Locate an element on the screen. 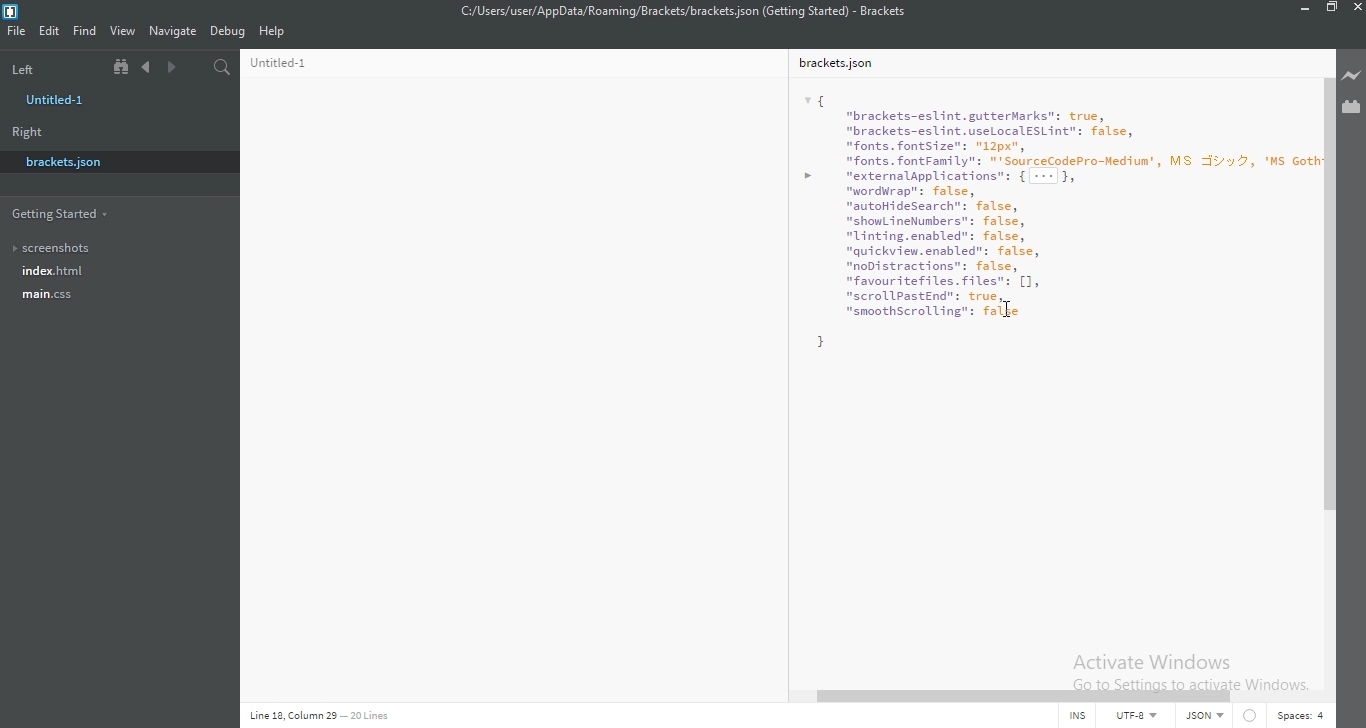  Find is located at coordinates (87, 30).